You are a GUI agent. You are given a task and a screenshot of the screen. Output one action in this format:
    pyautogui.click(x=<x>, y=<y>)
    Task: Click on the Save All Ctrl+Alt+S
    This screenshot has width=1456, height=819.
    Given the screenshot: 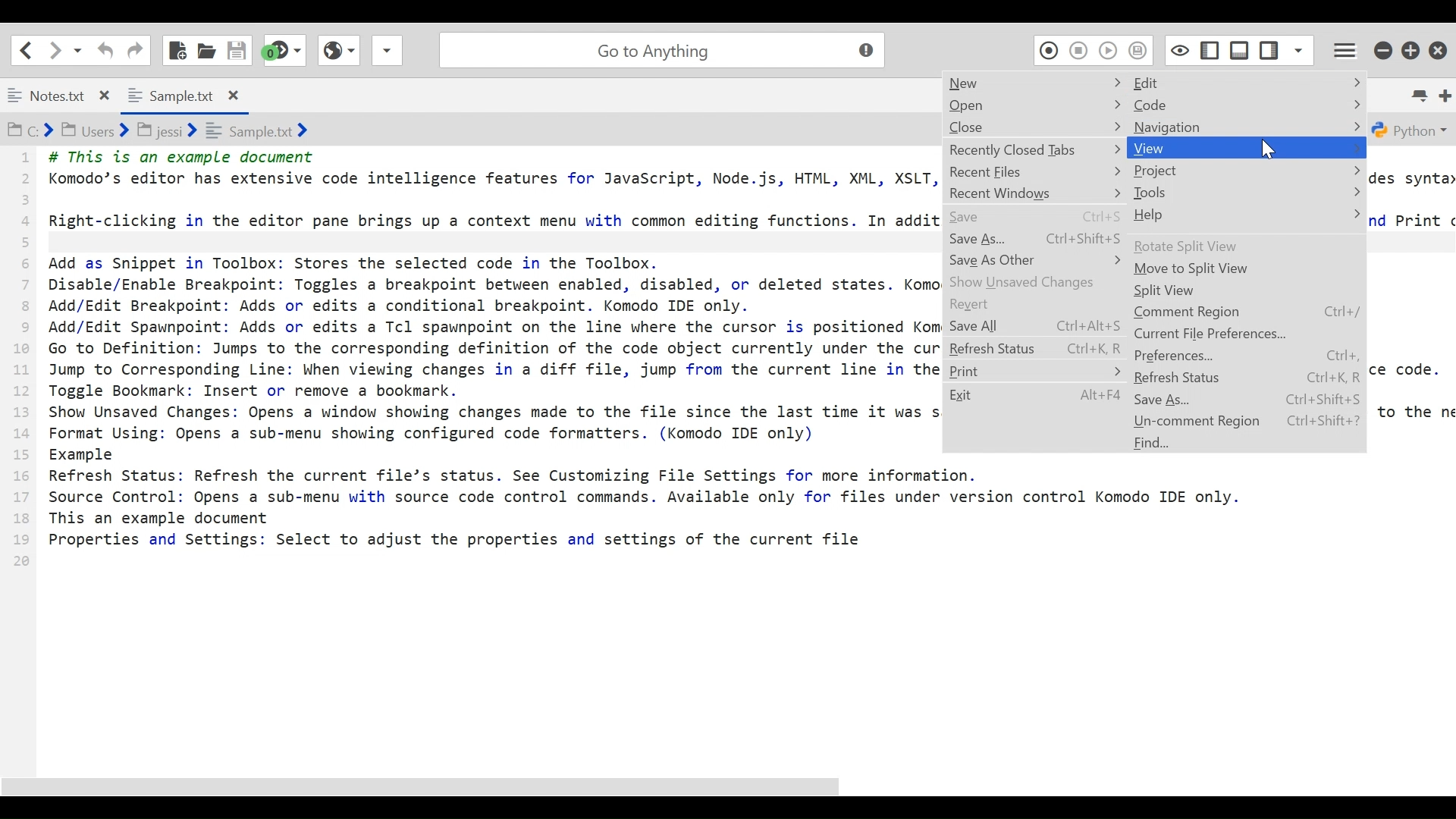 What is the action you would take?
    pyautogui.click(x=1035, y=325)
    